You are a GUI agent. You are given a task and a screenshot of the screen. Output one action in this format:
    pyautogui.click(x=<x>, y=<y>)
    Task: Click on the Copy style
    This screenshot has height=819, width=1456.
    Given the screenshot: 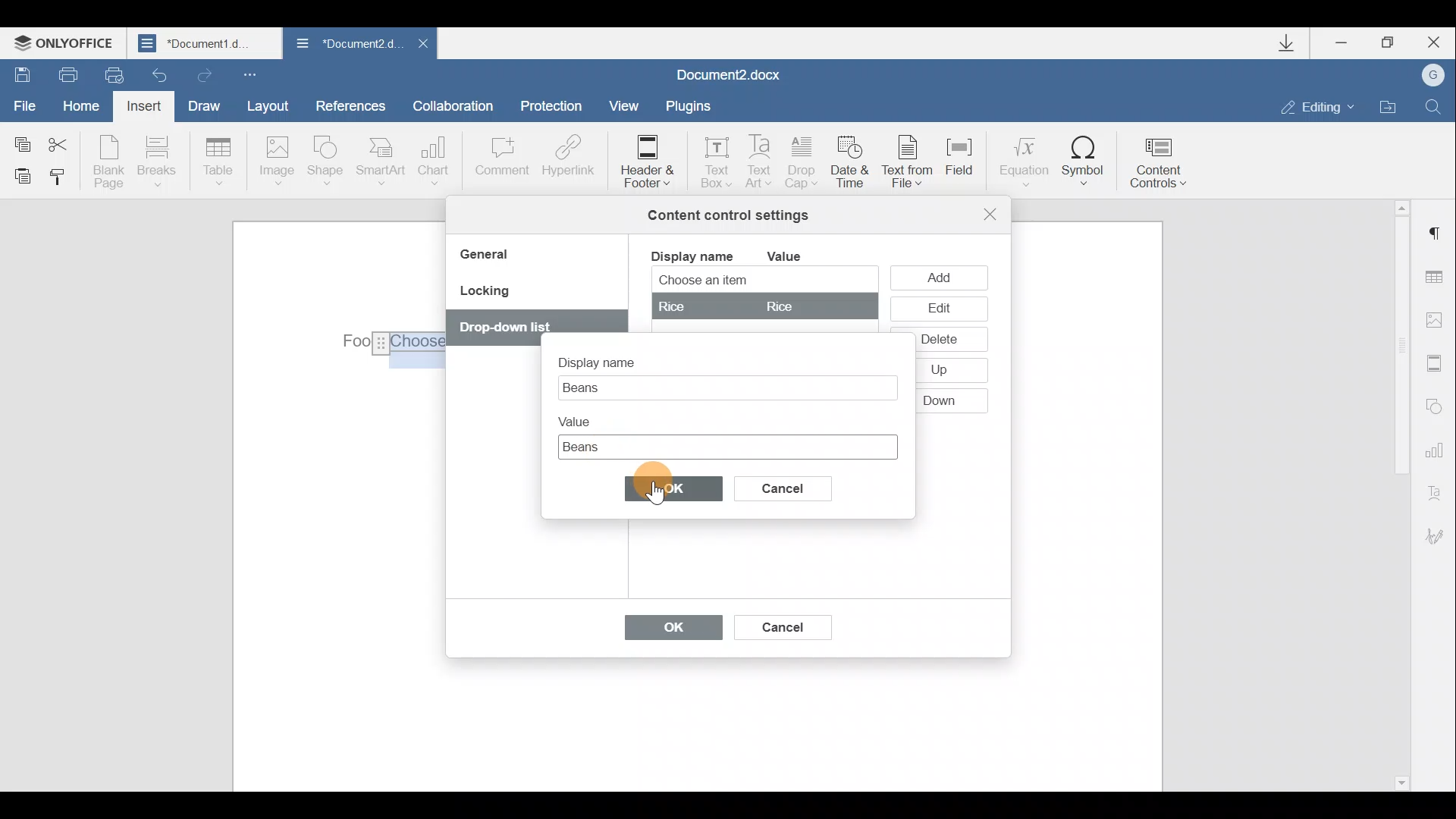 What is the action you would take?
    pyautogui.click(x=59, y=180)
    